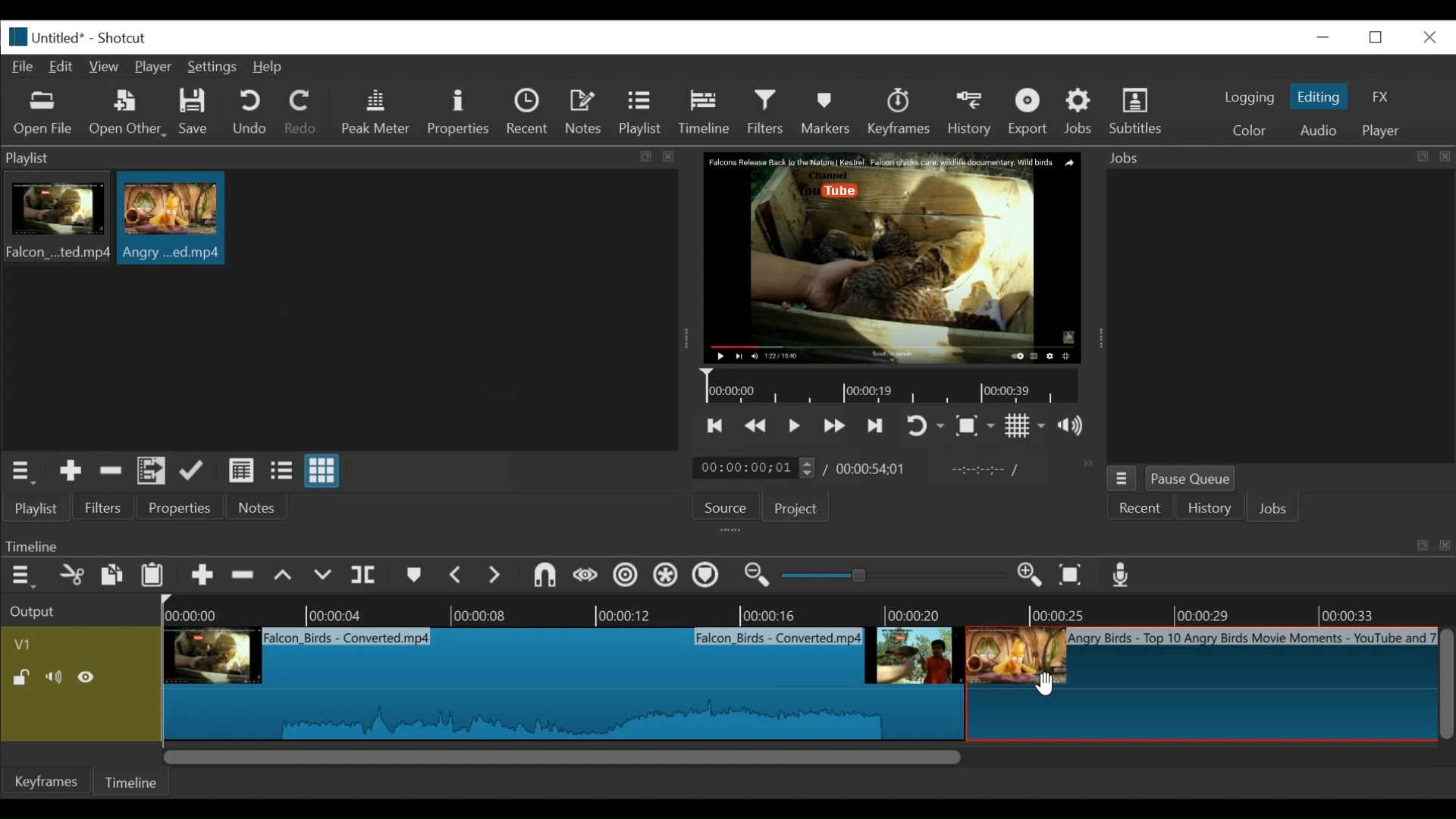 This screenshot has height=819, width=1456. Describe the element at coordinates (974, 427) in the screenshot. I see `Toggle zoom` at that location.